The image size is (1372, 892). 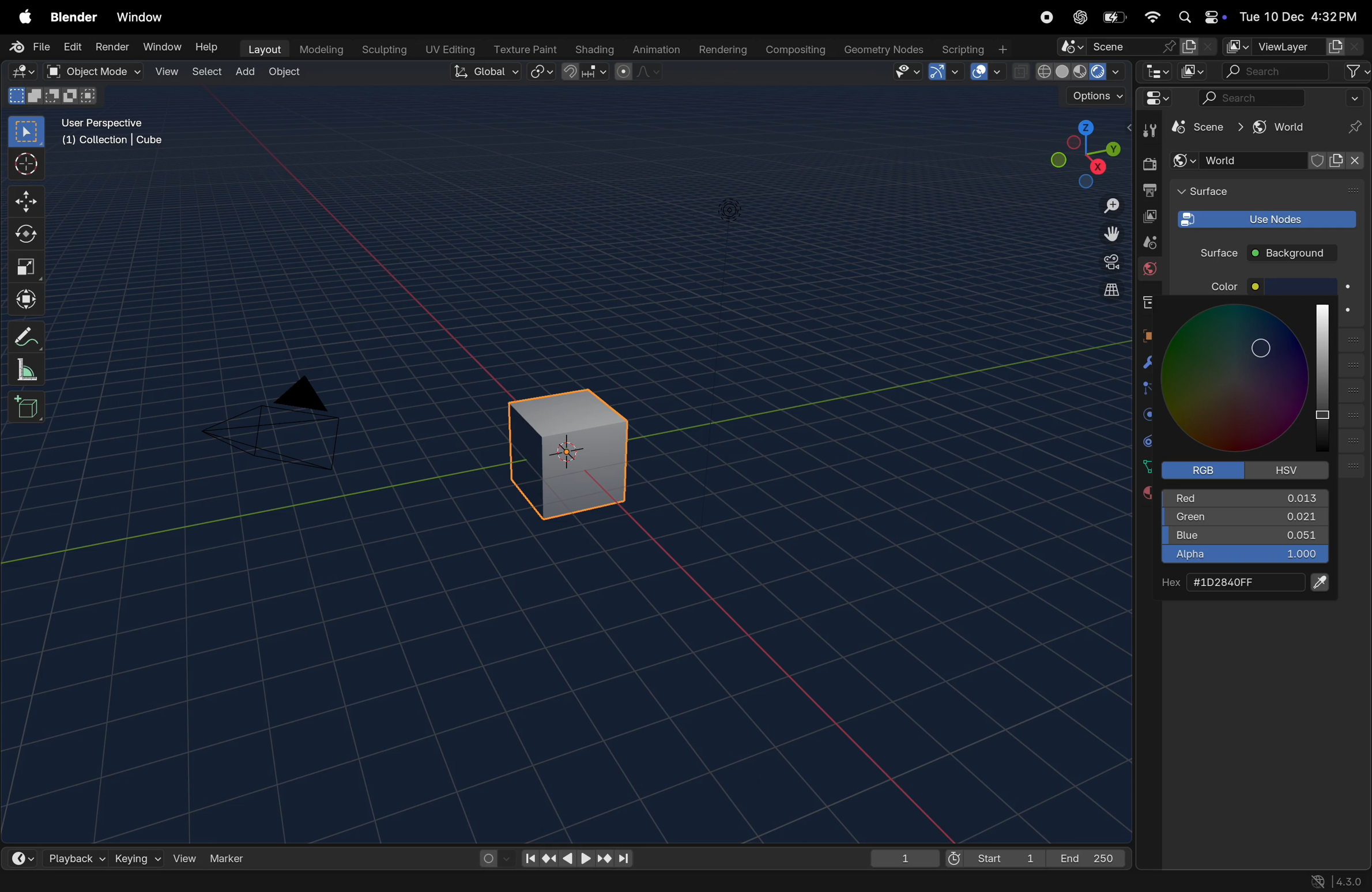 What do you see at coordinates (1292, 47) in the screenshot?
I see `View layer` at bounding box center [1292, 47].